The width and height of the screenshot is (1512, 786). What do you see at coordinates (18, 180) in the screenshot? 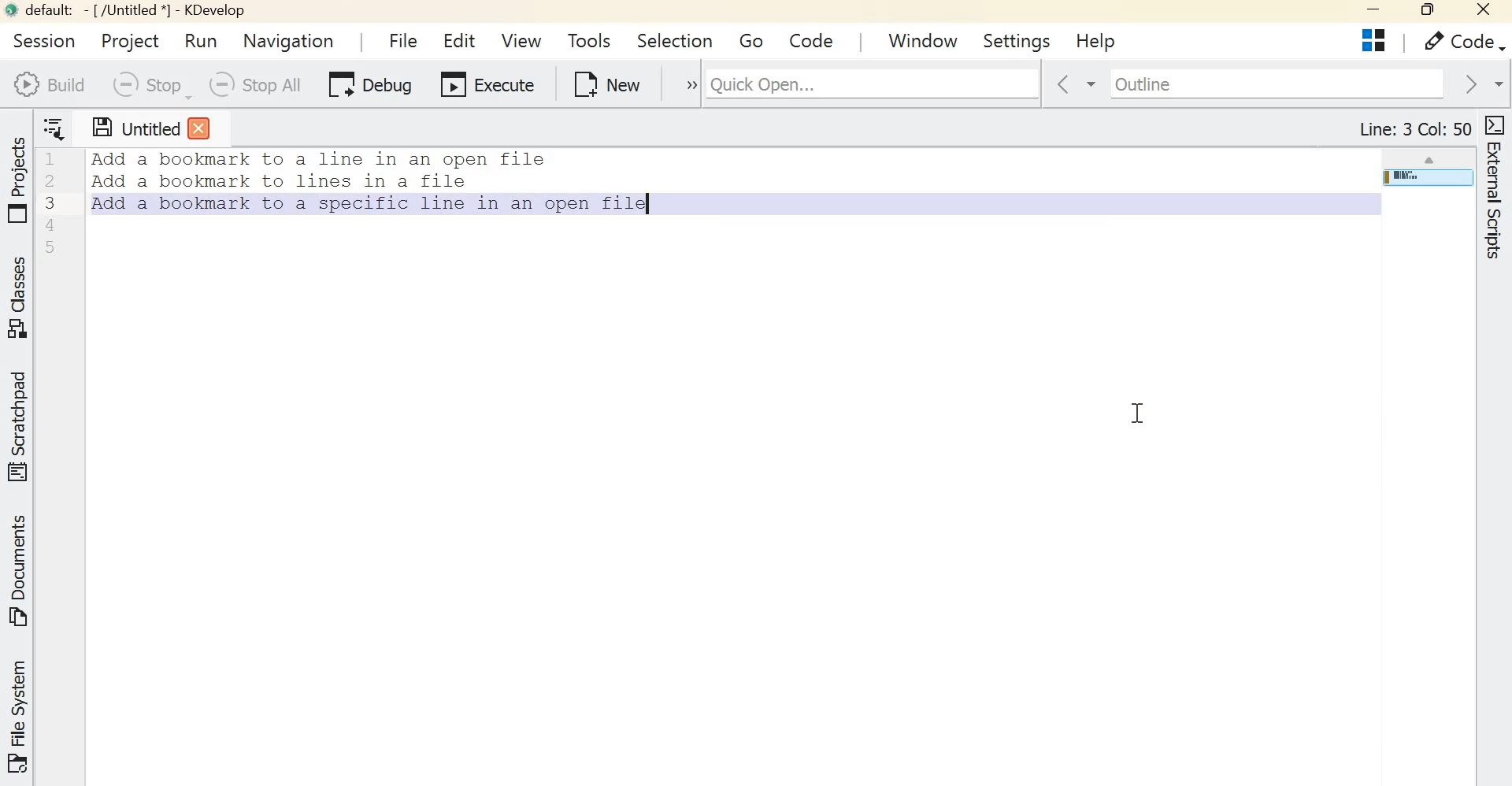
I see `Projects` at bounding box center [18, 180].